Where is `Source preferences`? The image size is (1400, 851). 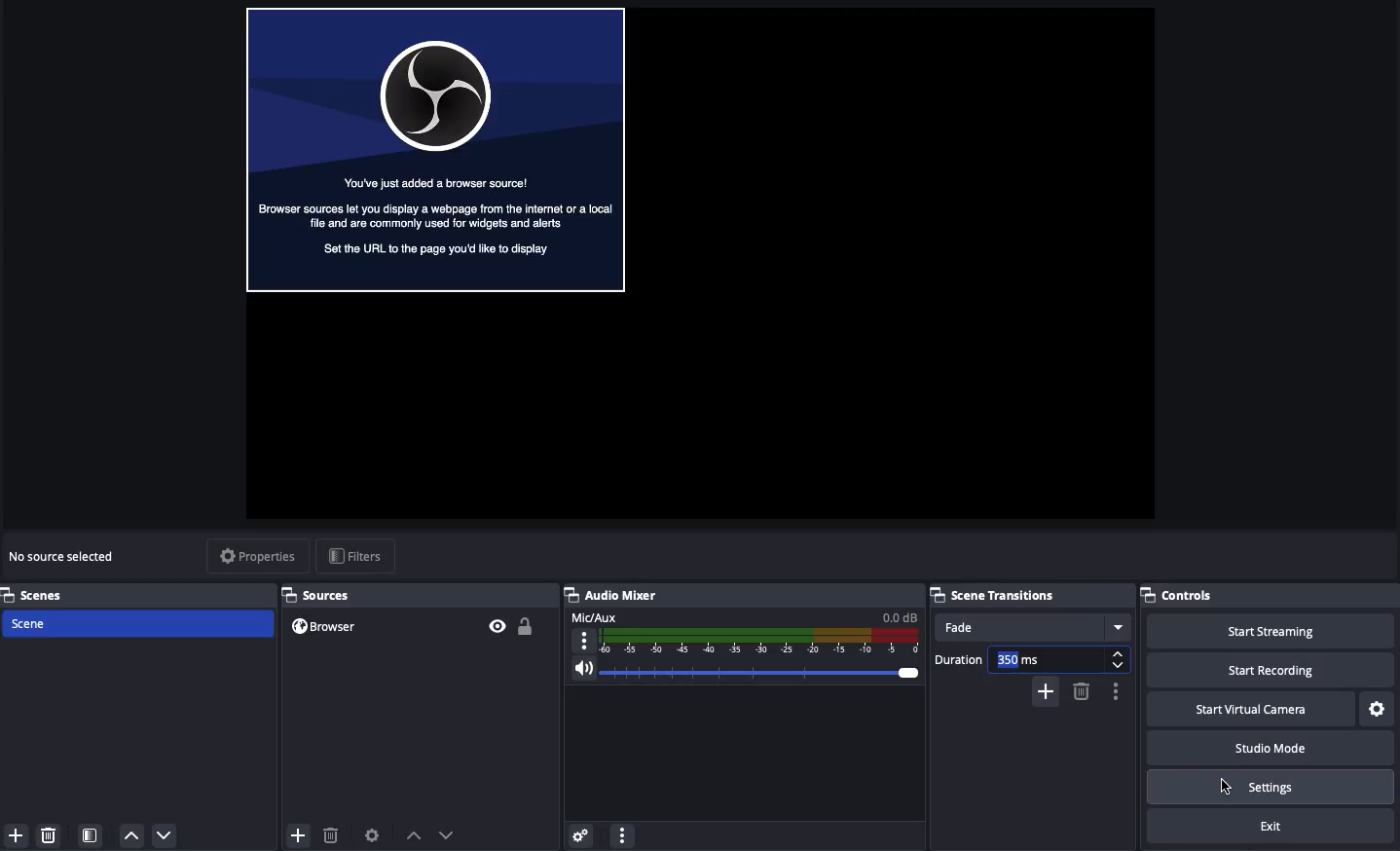 Source preferences is located at coordinates (370, 836).